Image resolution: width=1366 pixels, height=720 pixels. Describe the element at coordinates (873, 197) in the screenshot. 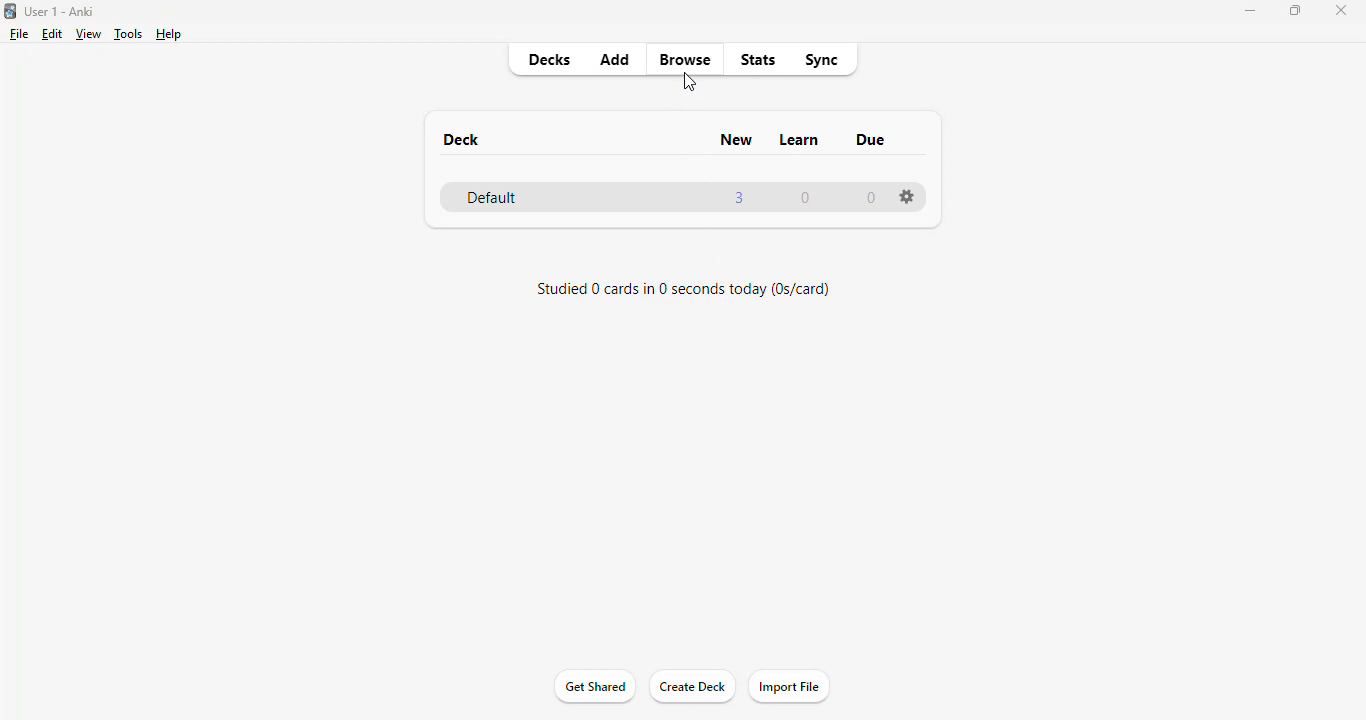

I see `0` at that location.